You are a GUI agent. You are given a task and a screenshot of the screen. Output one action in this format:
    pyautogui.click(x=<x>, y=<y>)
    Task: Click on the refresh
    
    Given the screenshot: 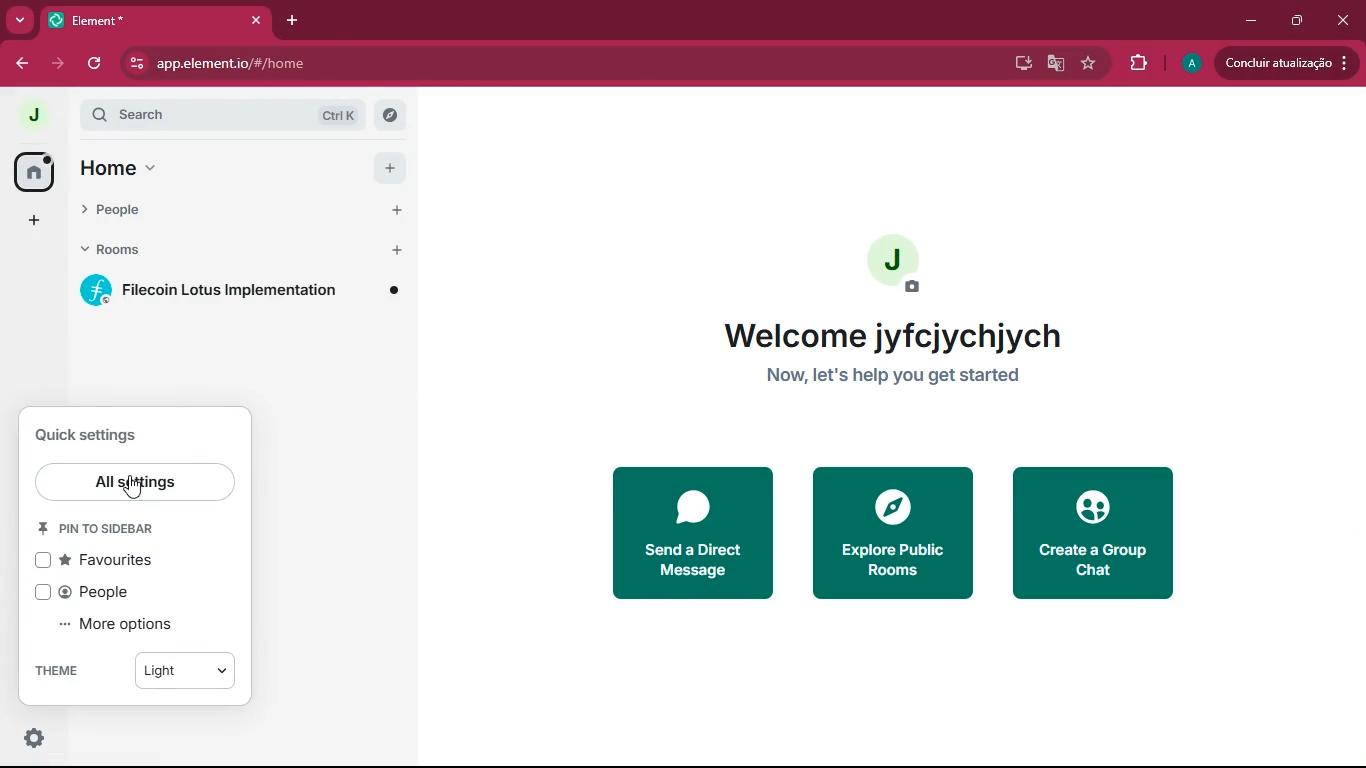 What is the action you would take?
    pyautogui.click(x=97, y=62)
    